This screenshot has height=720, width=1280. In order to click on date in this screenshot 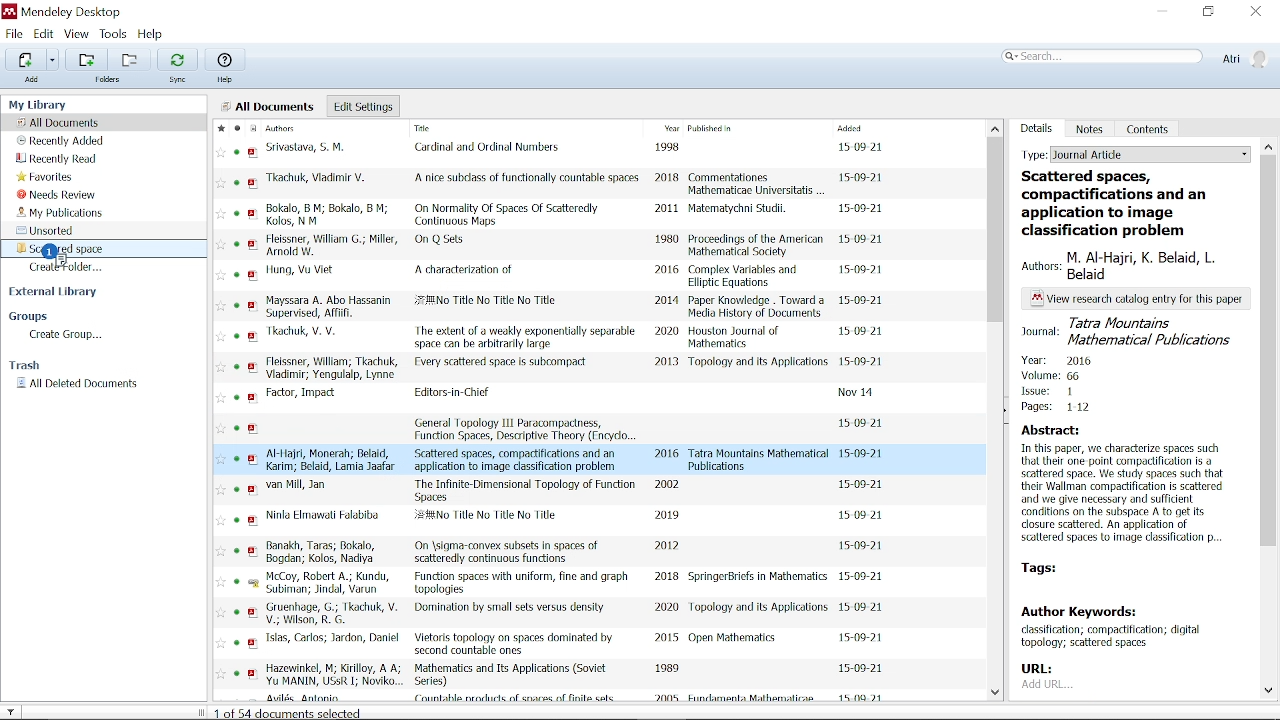, I will do `click(861, 517)`.